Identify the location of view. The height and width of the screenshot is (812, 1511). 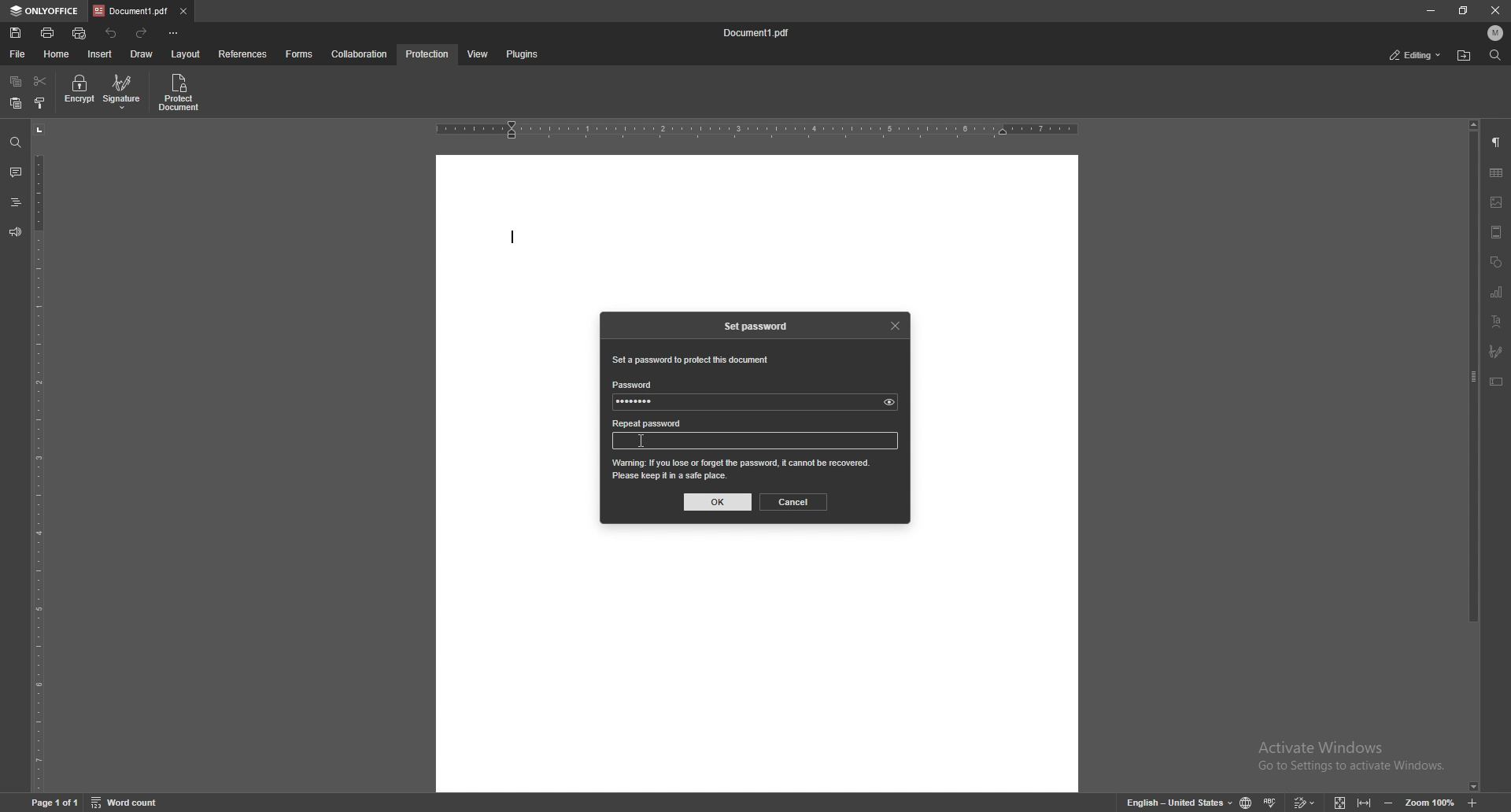
(478, 54).